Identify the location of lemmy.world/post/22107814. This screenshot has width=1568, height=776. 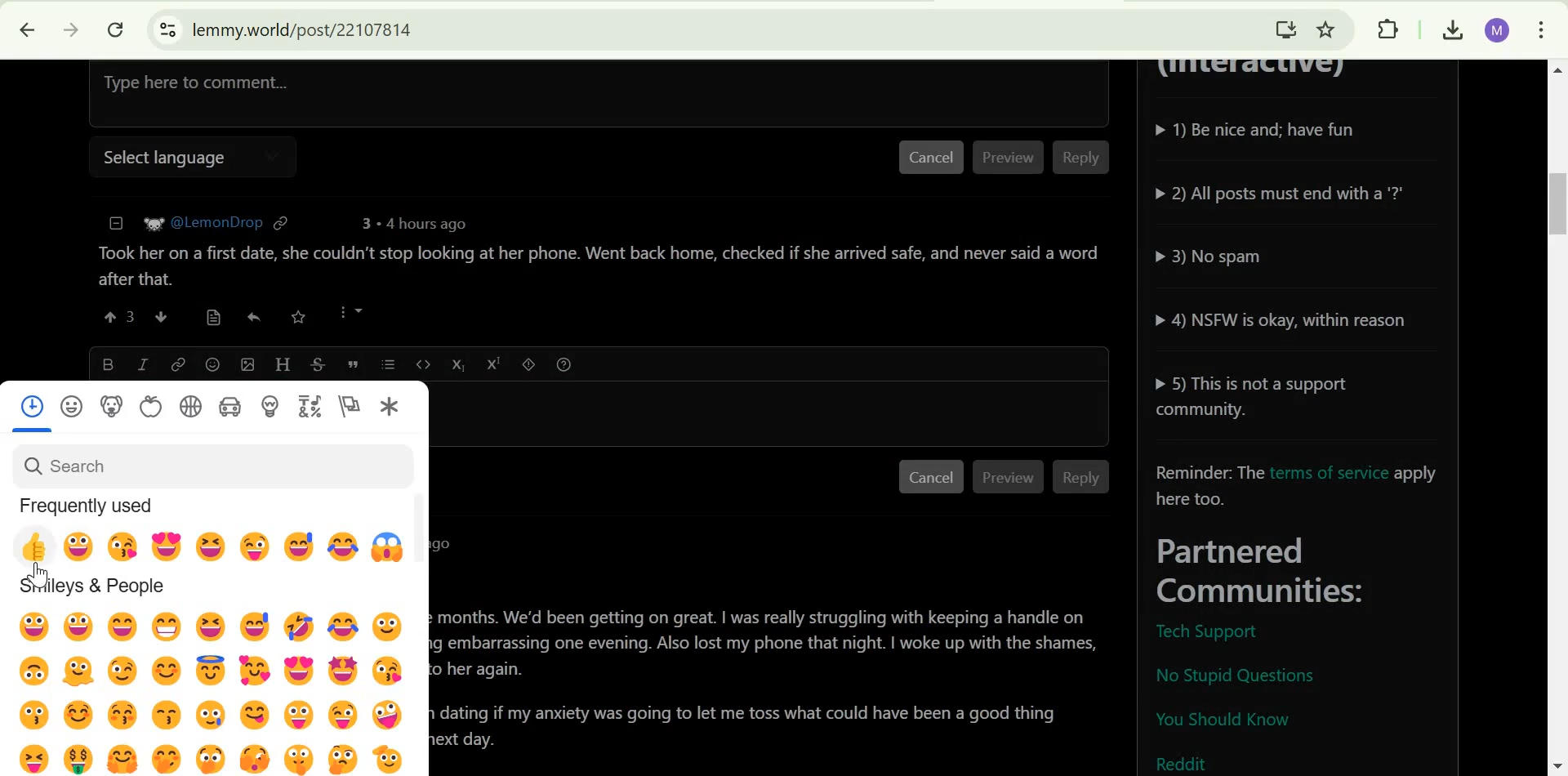
(302, 29).